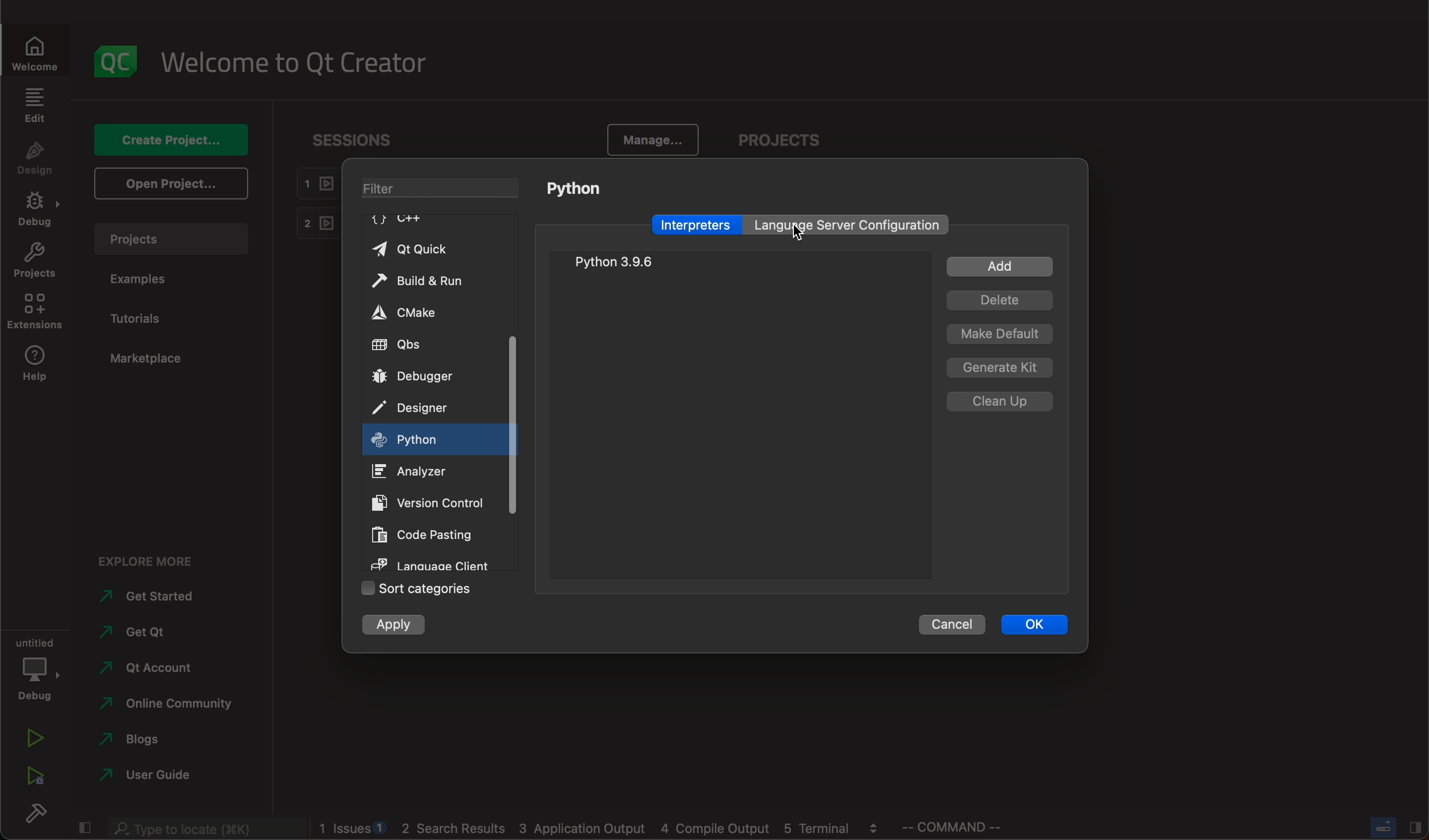 Image resolution: width=1429 pixels, height=840 pixels. Describe the element at coordinates (428, 532) in the screenshot. I see `code ` at that location.